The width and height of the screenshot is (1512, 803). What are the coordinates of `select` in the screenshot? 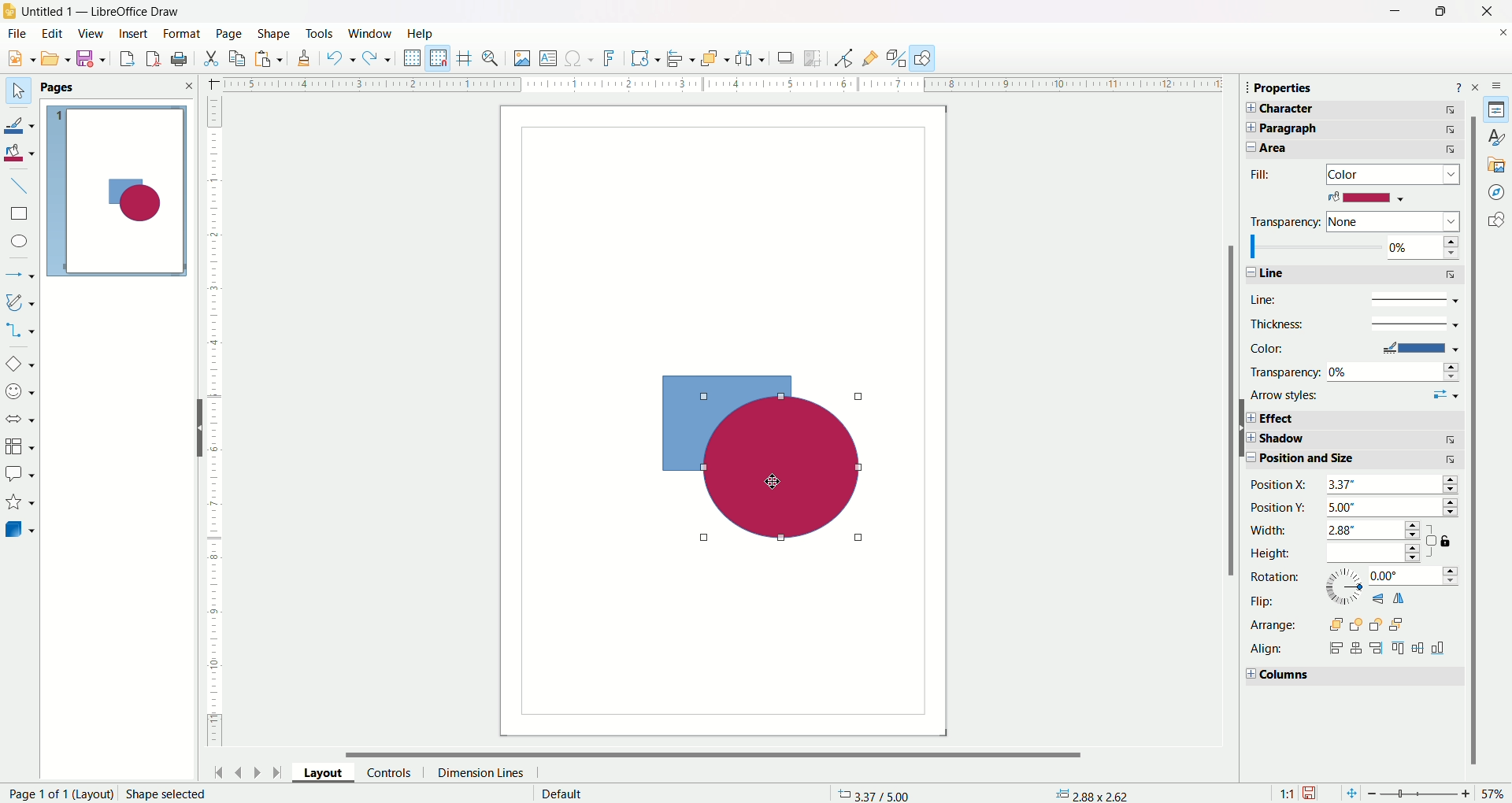 It's located at (15, 88).